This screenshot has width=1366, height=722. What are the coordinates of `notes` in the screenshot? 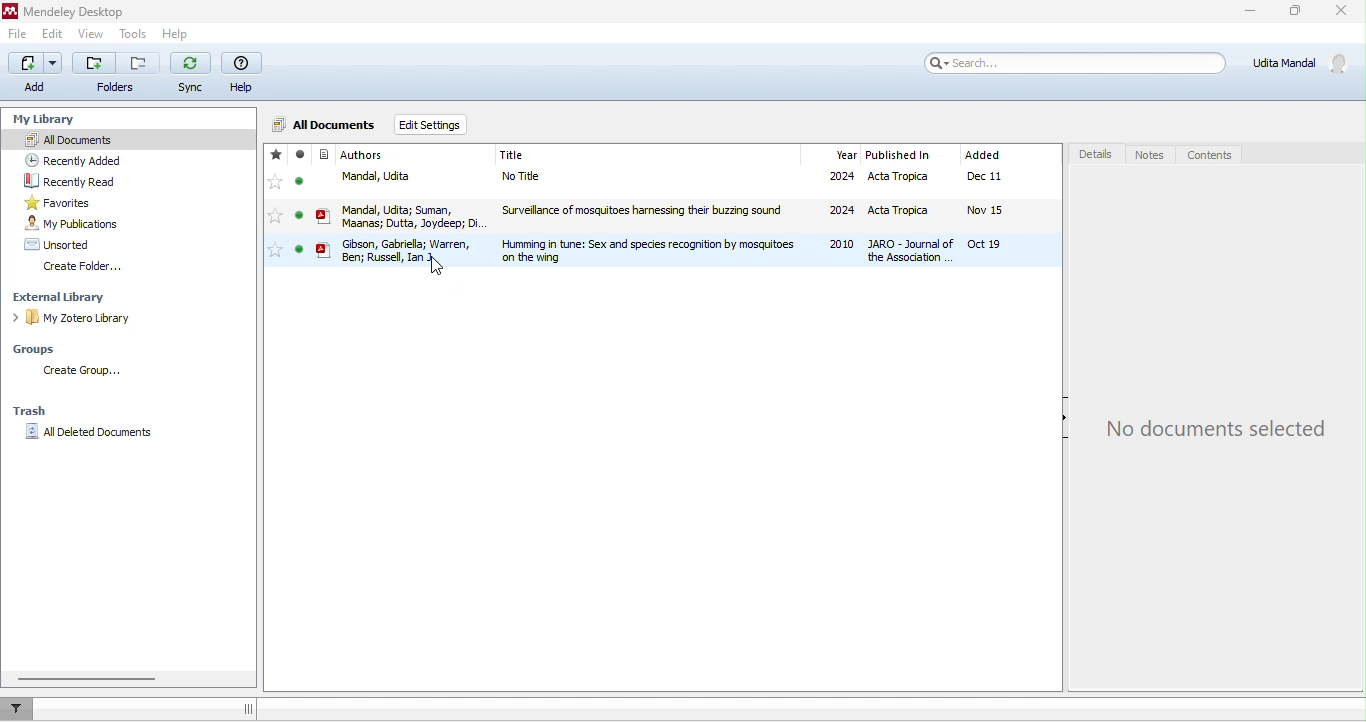 It's located at (1153, 156).